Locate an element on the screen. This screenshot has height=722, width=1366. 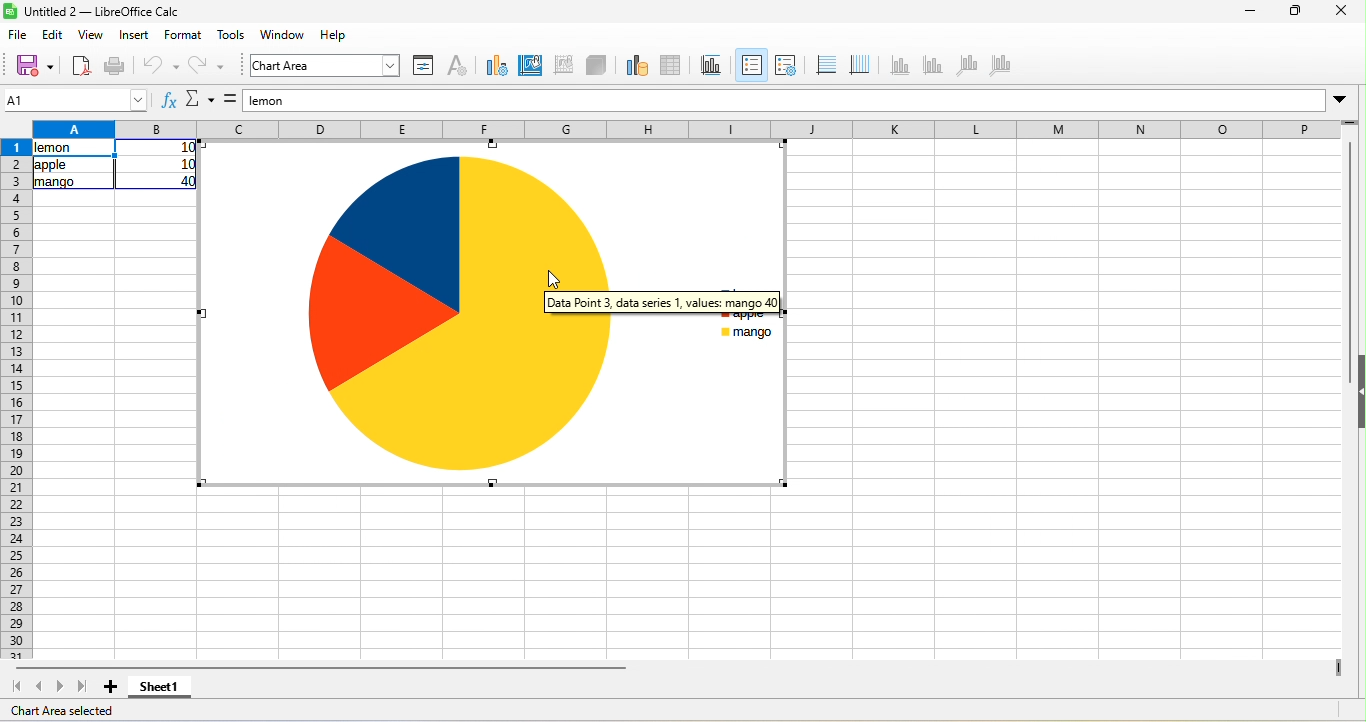
chart area is located at coordinates (528, 67).